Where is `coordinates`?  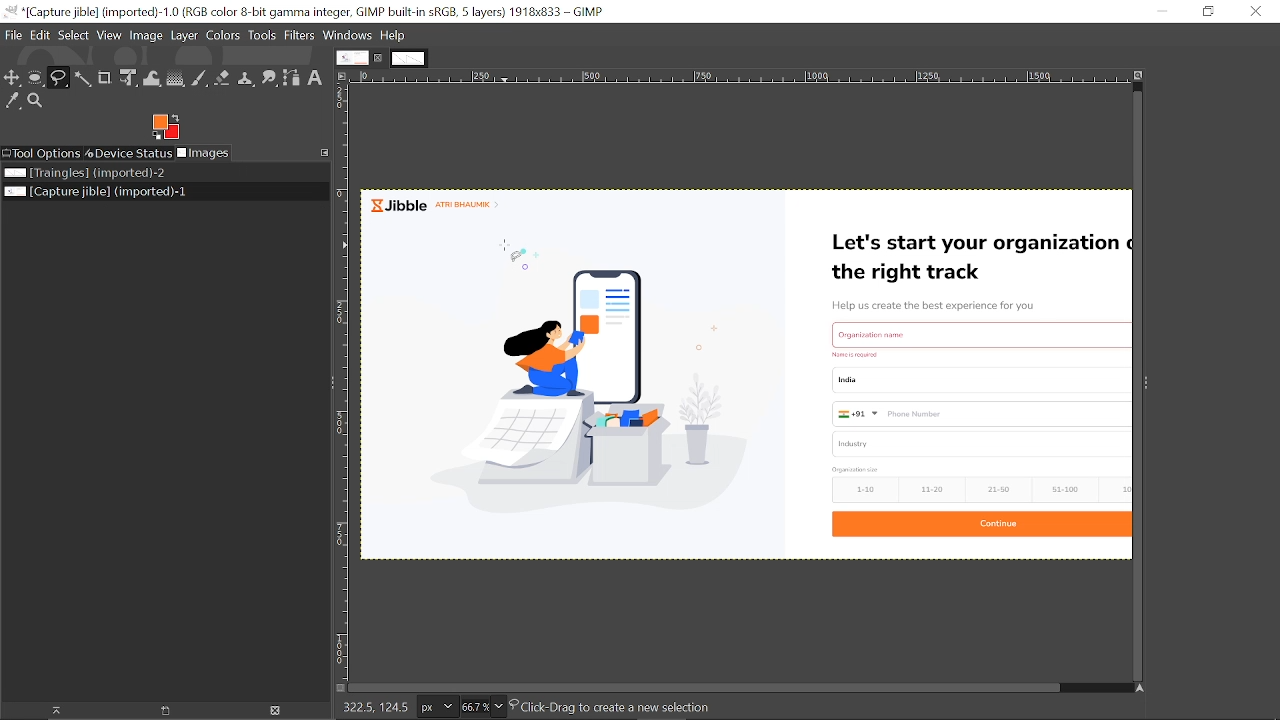
coordinates is located at coordinates (372, 708).